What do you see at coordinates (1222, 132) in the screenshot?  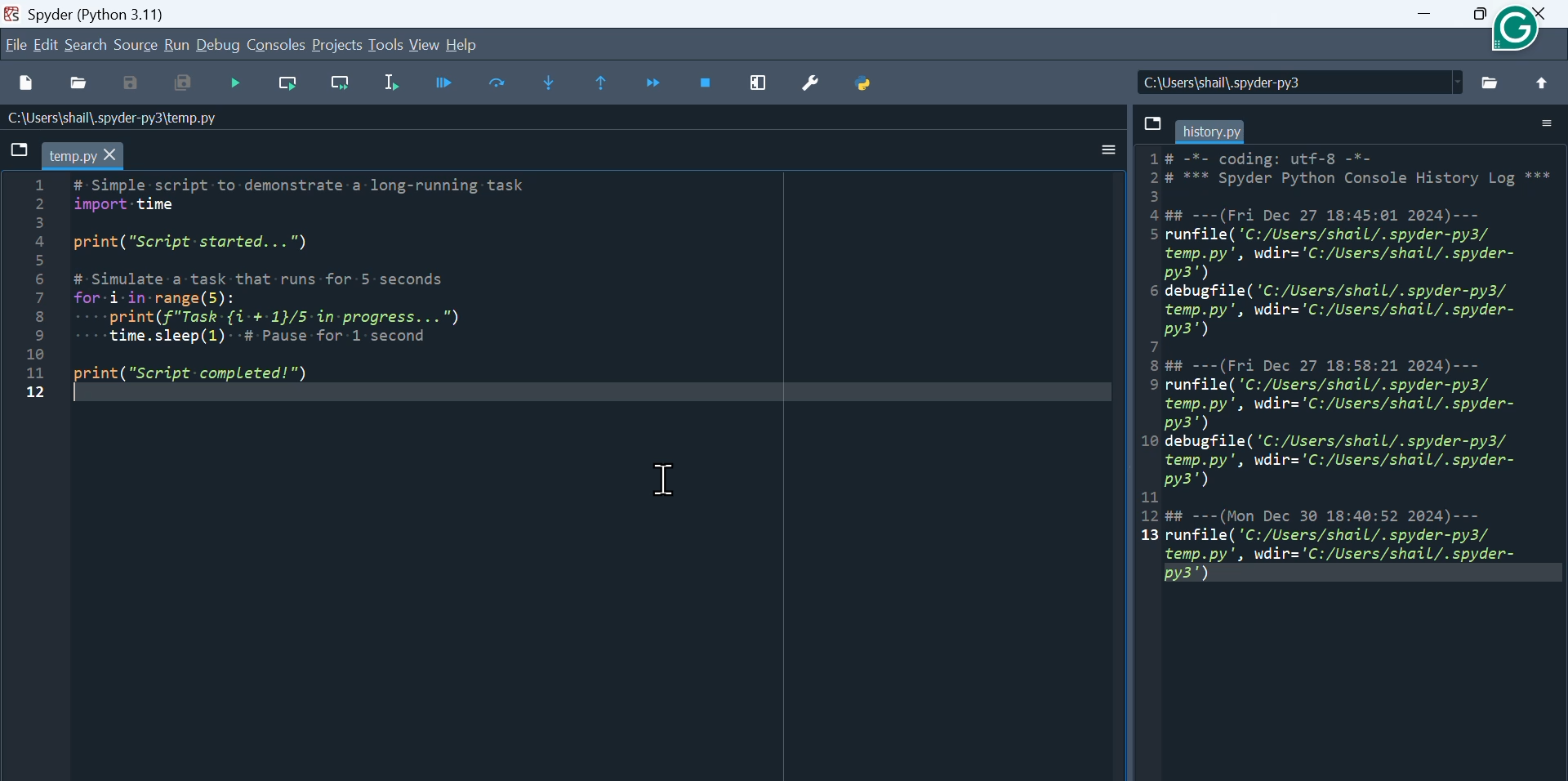 I see `` at bounding box center [1222, 132].